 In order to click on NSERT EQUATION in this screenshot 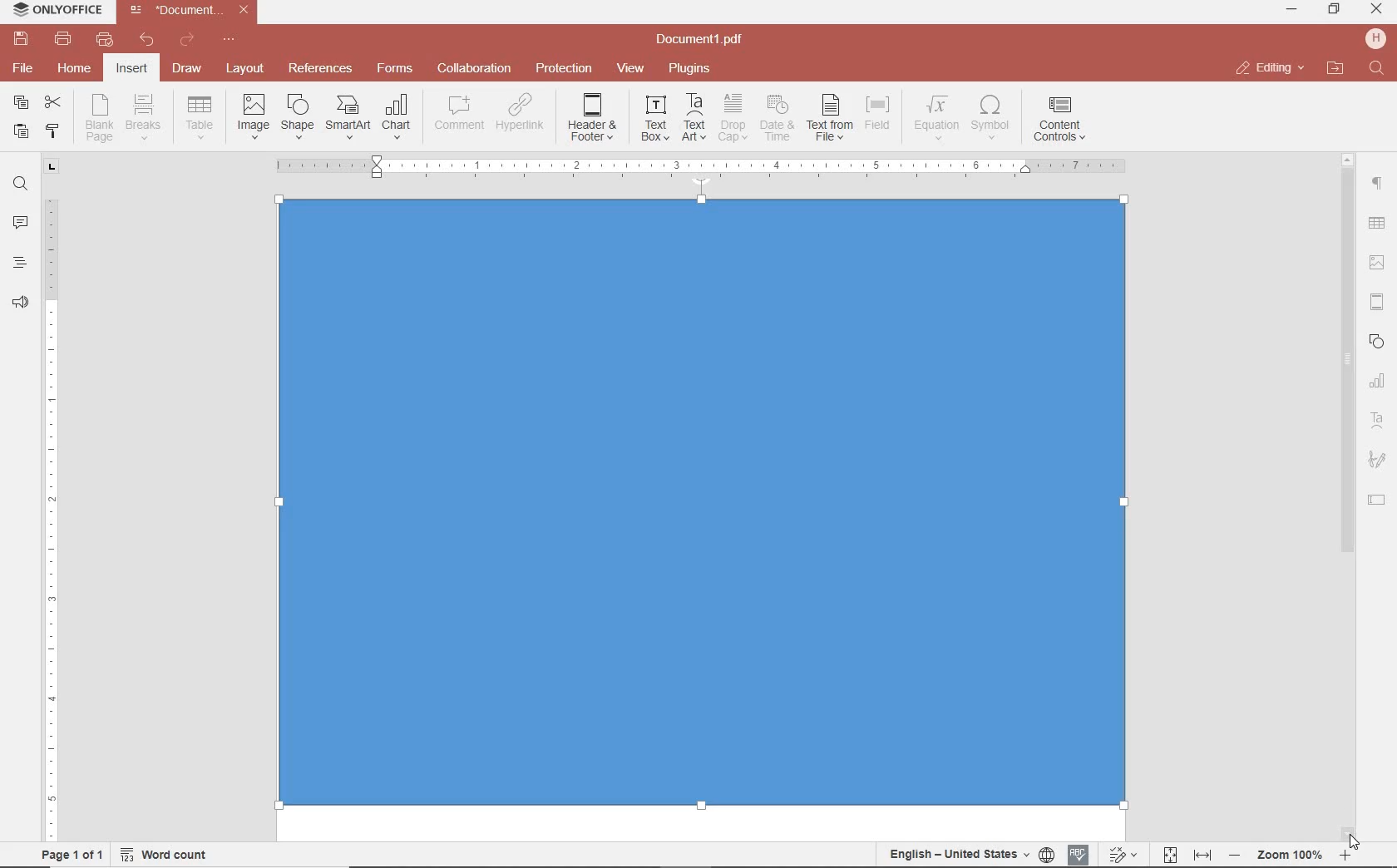, I will do `click(935, 116)`.